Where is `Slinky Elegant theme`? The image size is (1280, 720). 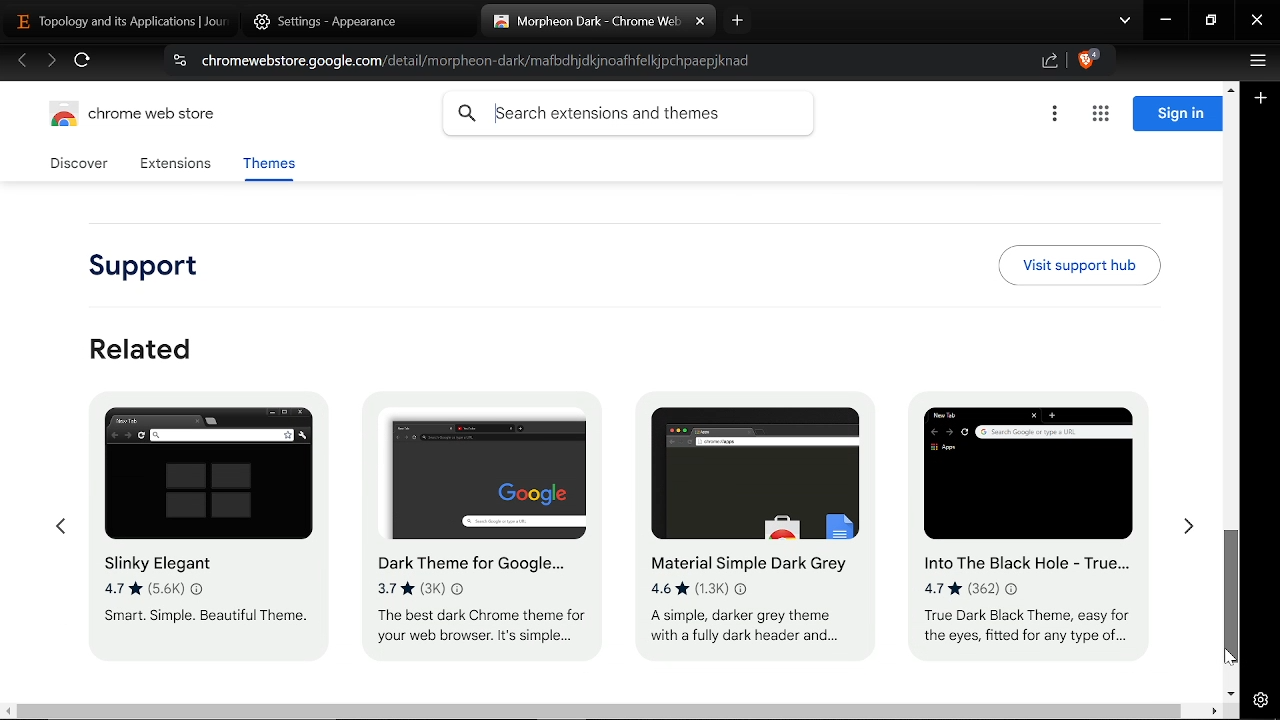
Slinky Elegant theme is located at coordinates (202, 539).